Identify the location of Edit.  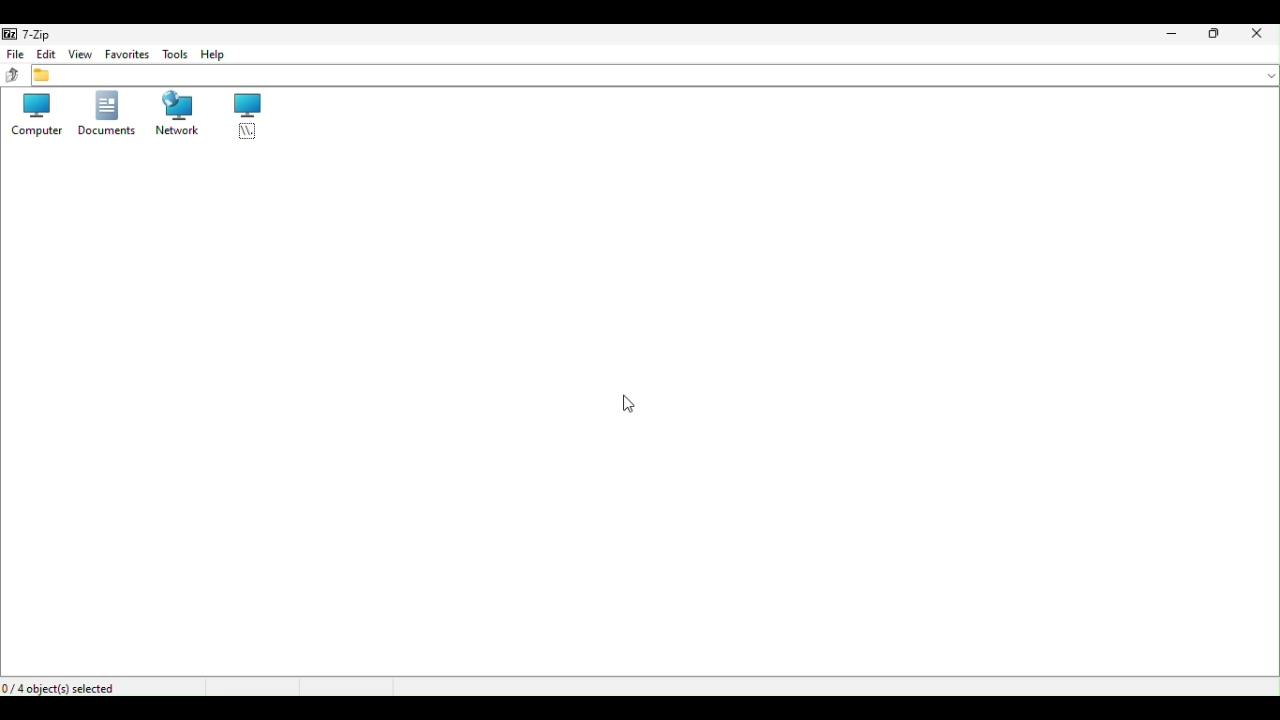
(48, 55).